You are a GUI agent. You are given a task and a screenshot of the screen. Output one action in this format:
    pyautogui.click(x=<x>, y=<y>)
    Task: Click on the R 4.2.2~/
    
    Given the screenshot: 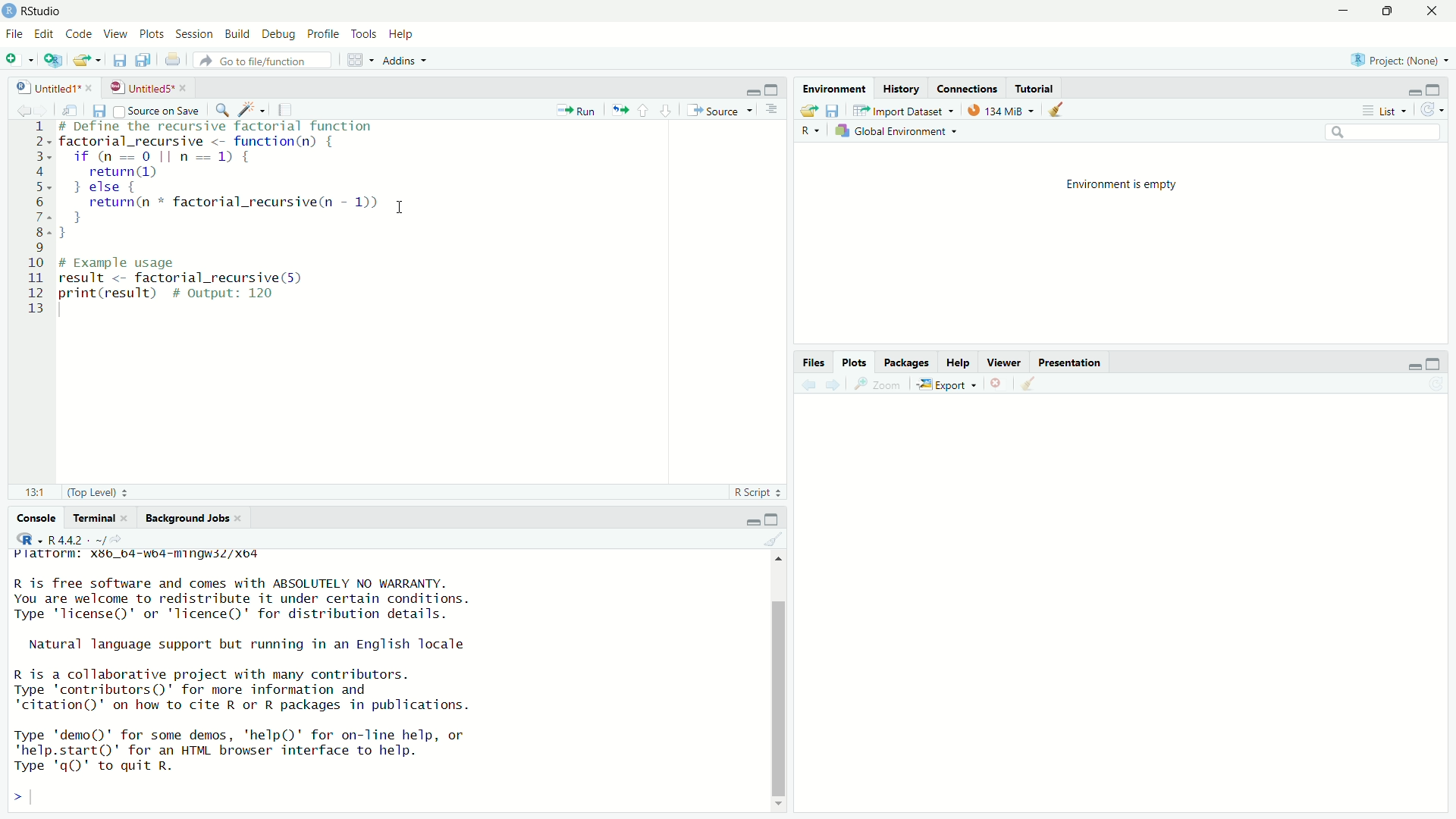 What is the action you would take?
    pyautogui.click(x=74, y=539)
    